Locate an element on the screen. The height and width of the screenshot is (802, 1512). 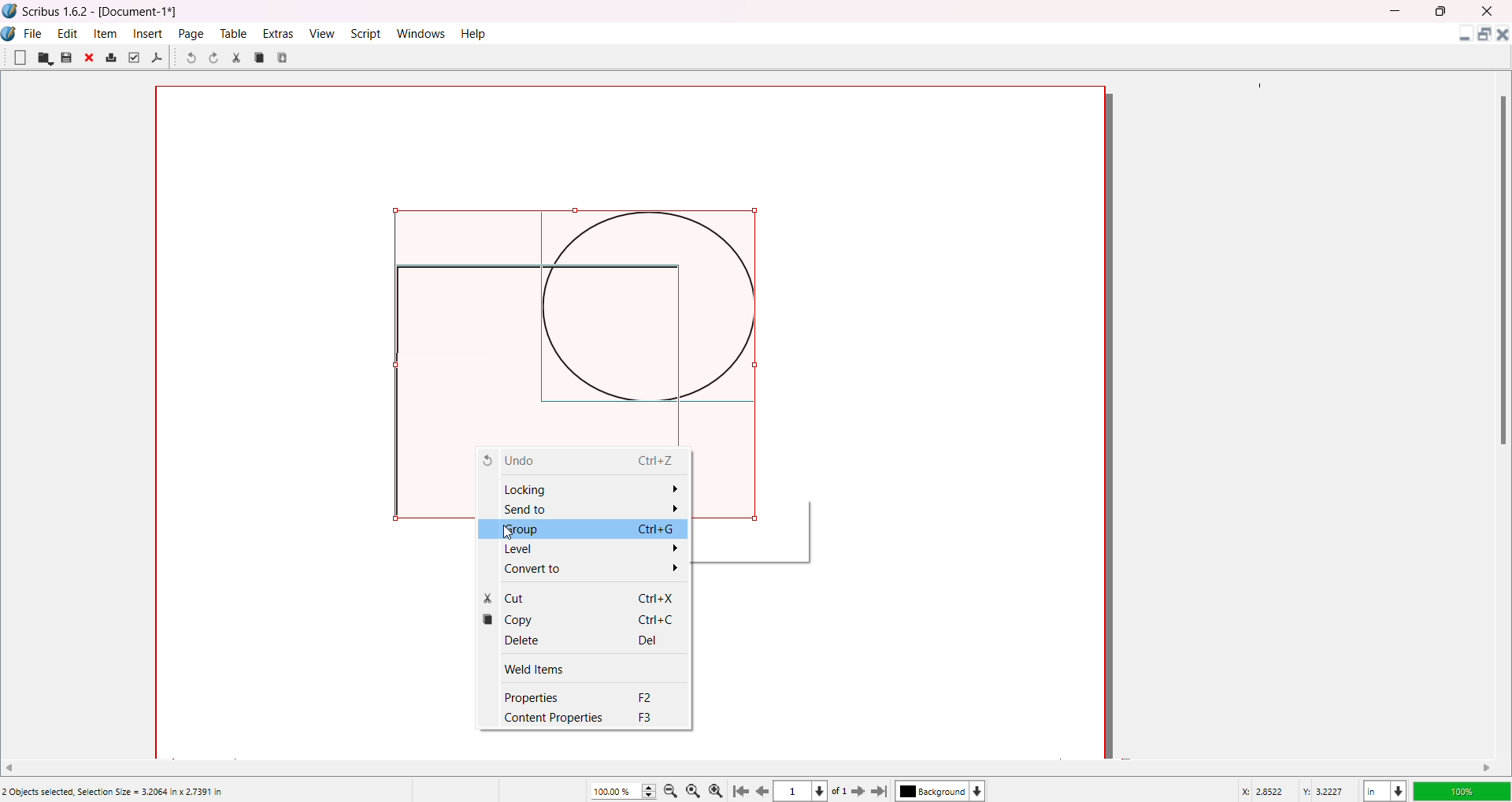
File is located at coordinates (34, 32).